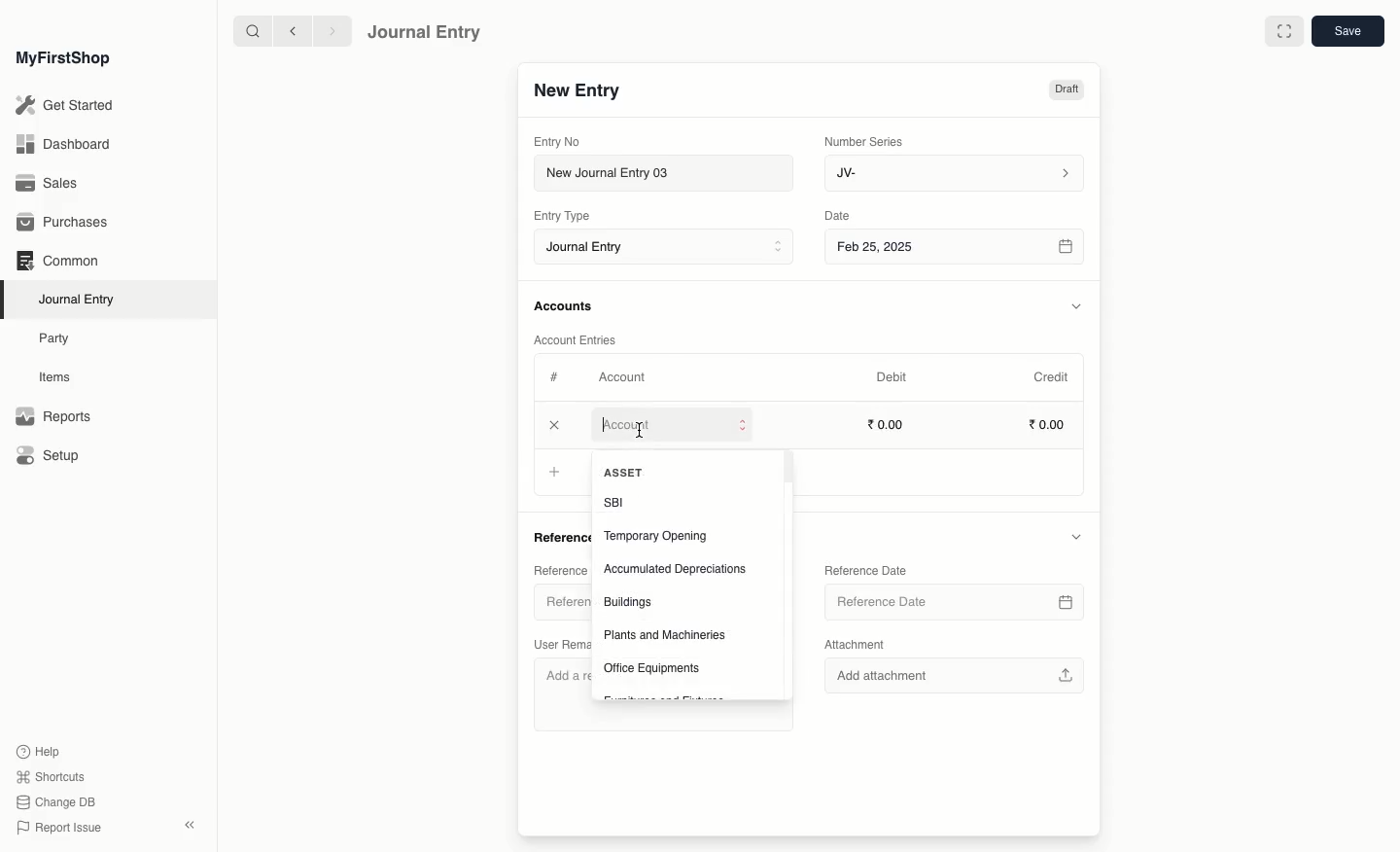 This screenshot has height=852, width=1400. Describe the element at coordinates (62, 143) in the screenshot. I see `Dashboard` at that location.